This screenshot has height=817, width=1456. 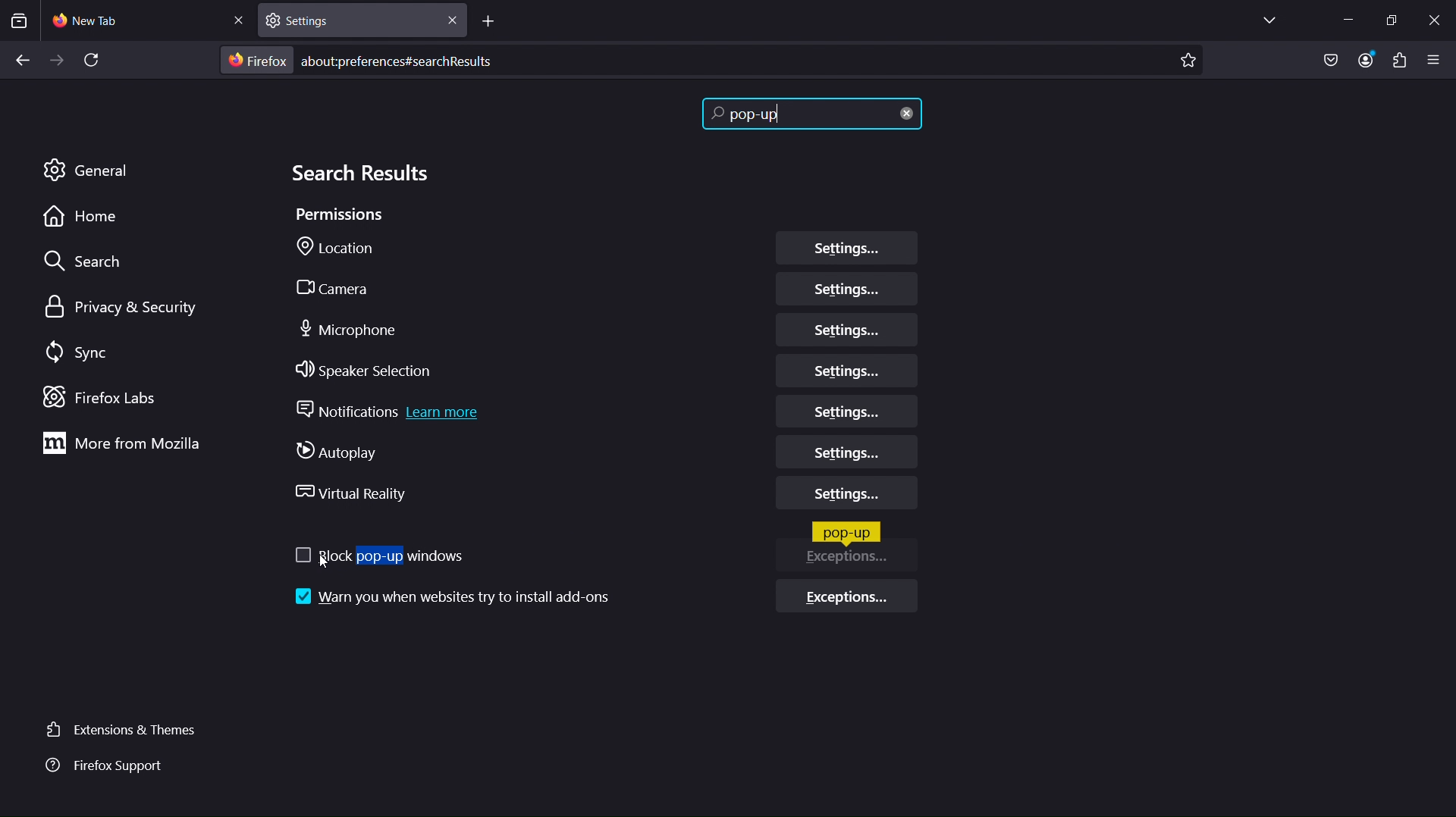 I want to click on Block pop-up windows, so click(x=376, y=556).